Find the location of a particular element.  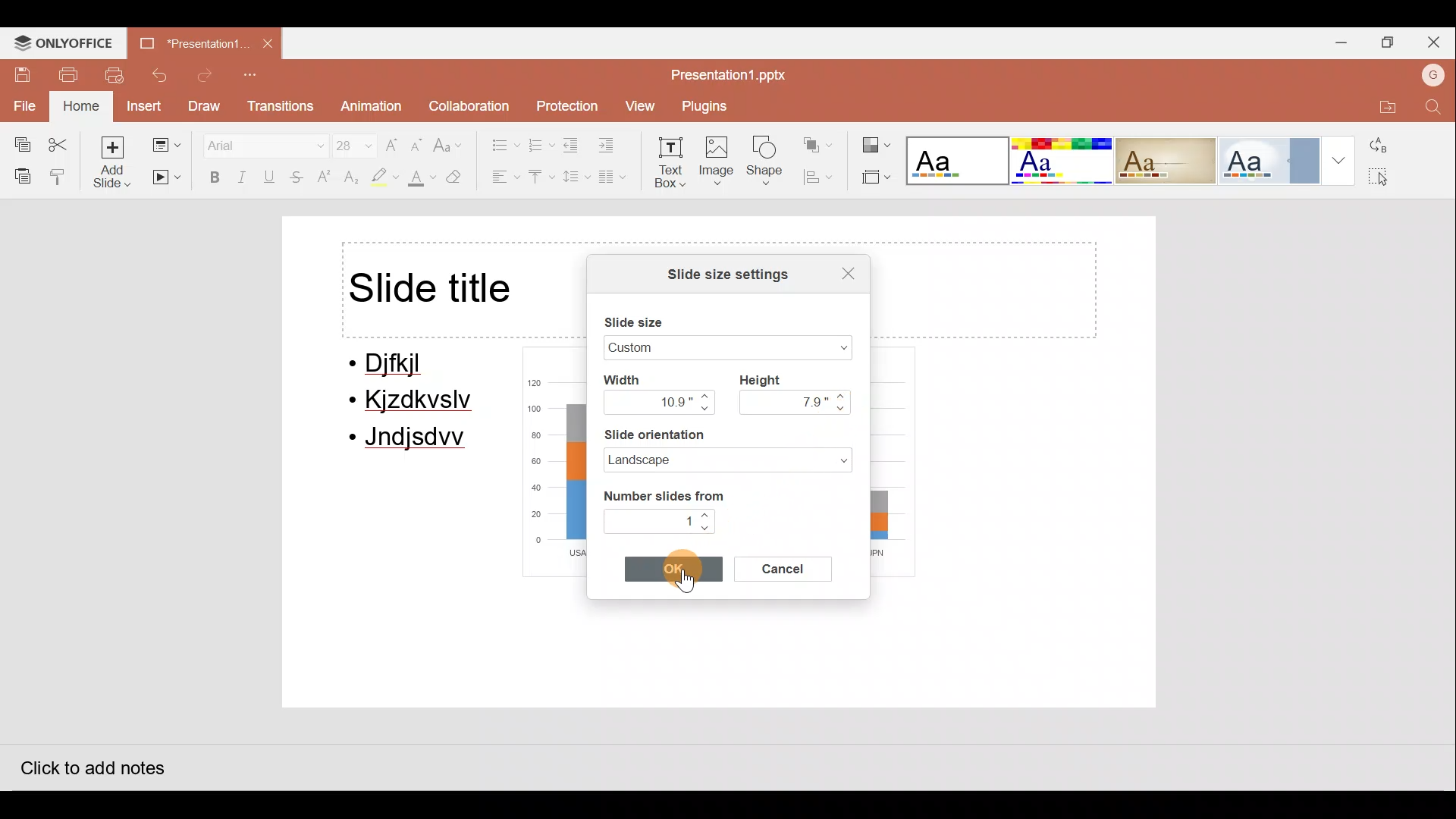

Presentation1. is located at coordinates (191, 41).